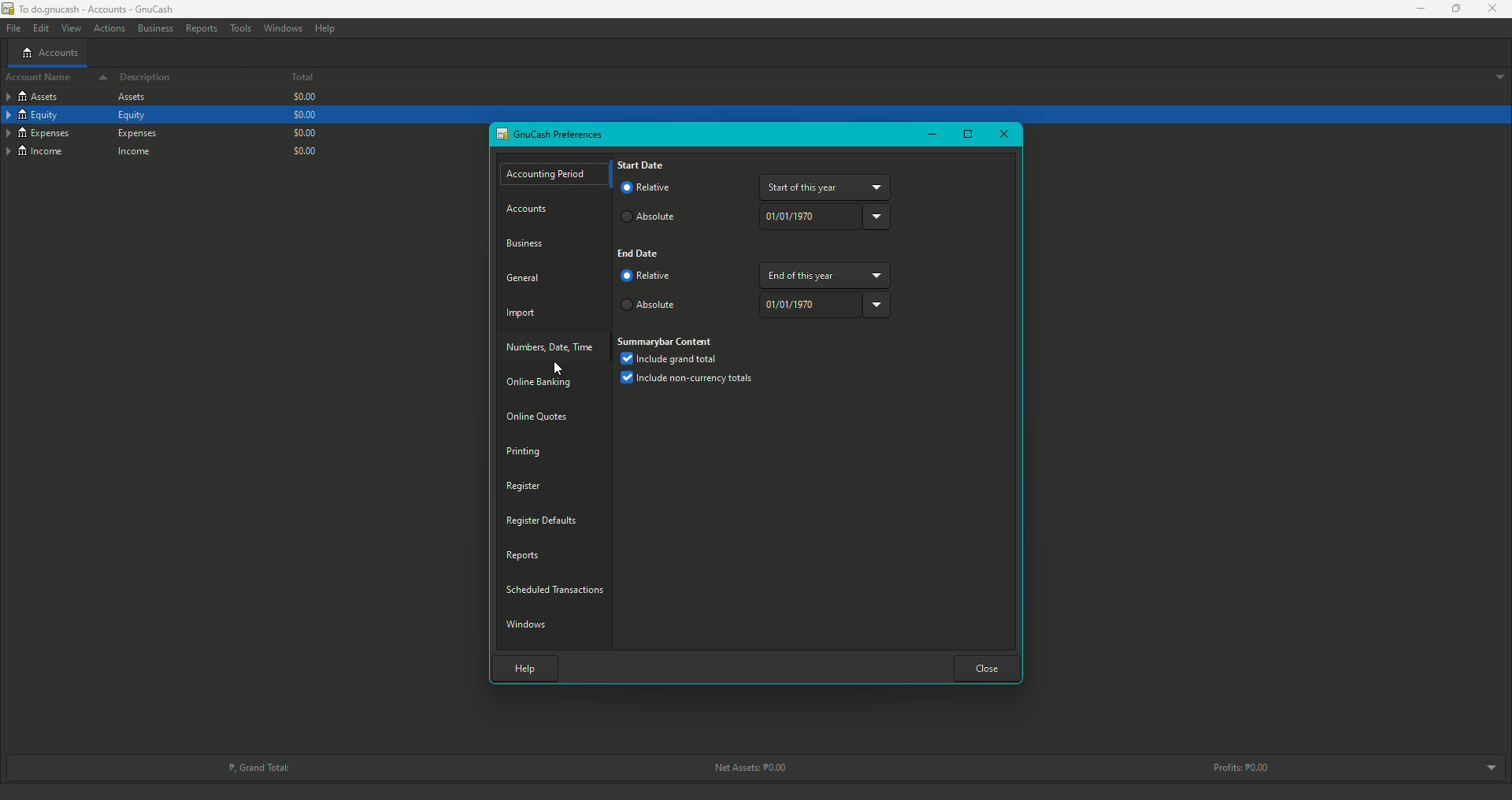 This screenshot has width=1512, height=800. I want to click on Help, so click(521, 666).